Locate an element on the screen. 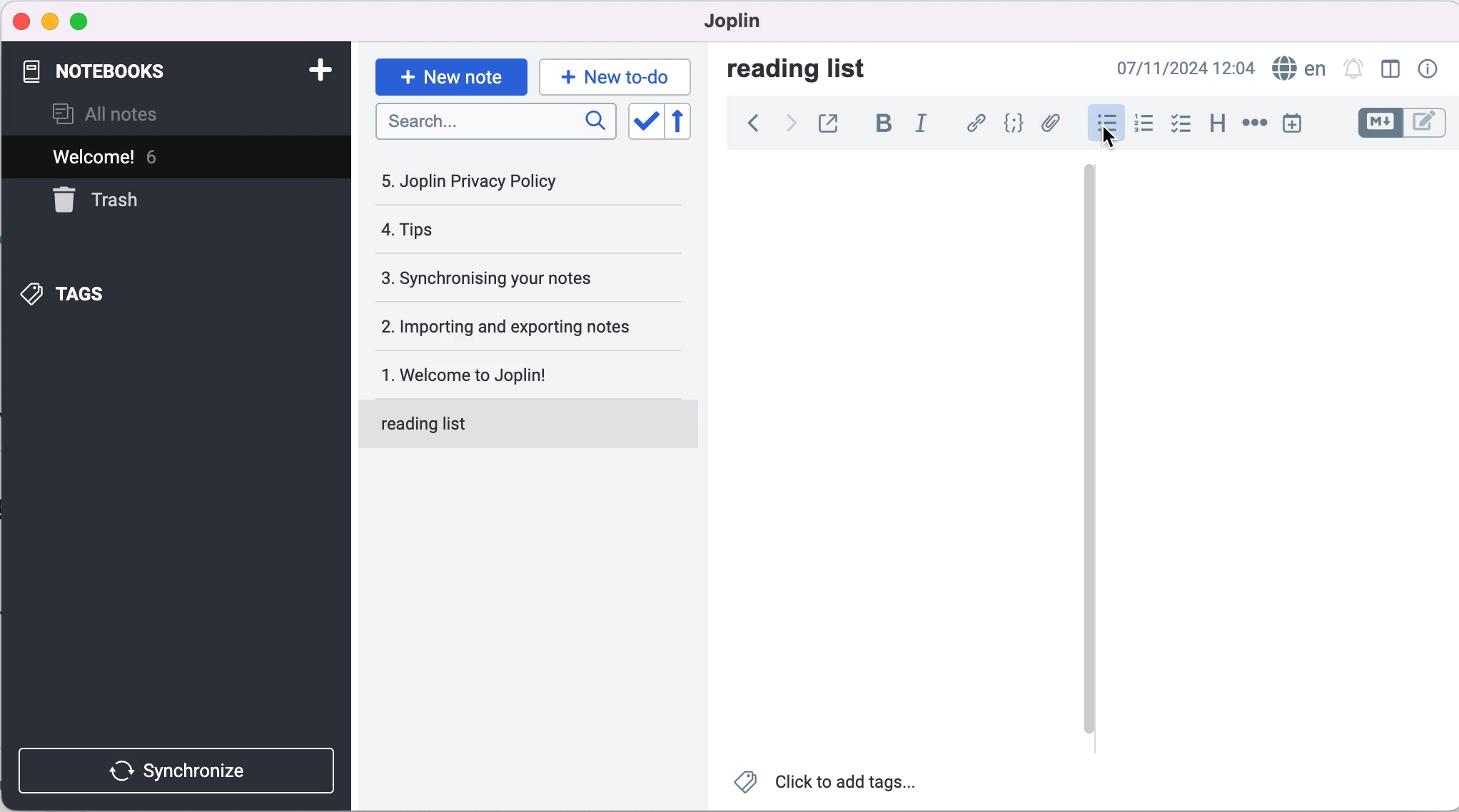 This screenshot has width=1459, height=812. horizontal rule is located at coordinates (1254, 125).